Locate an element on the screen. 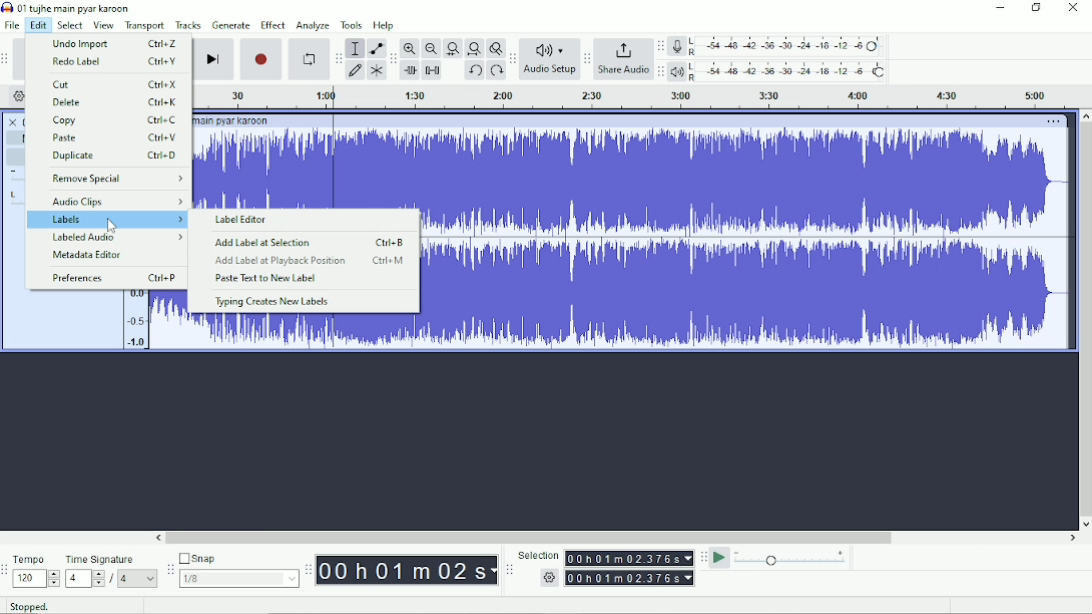 Image resolution: width=1092 pixels, height=614 pixels. Restore down is located at coordinates (1037, 9).